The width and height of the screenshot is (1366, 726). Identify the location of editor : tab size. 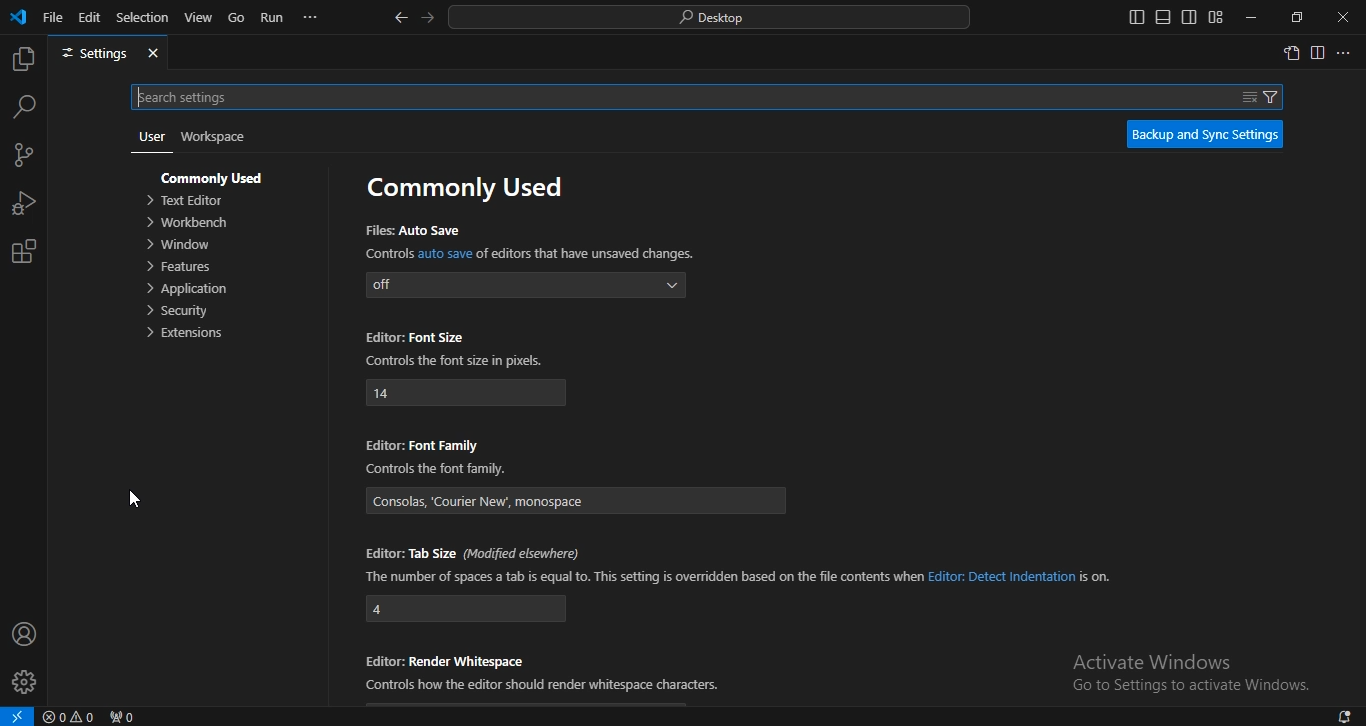
(469, 554).